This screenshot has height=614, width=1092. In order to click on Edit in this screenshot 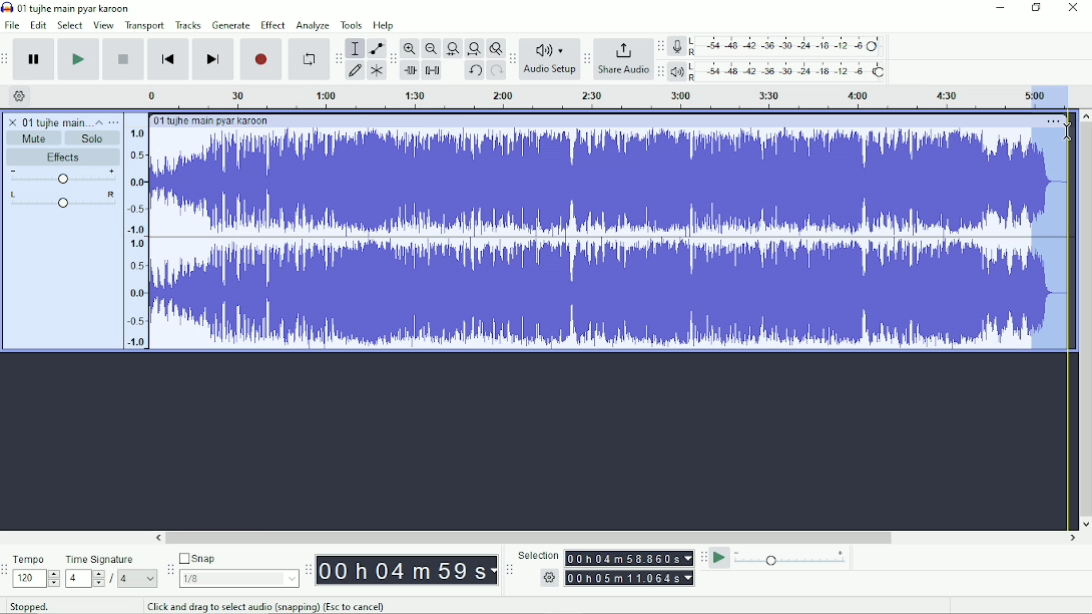, I will do `click(39, 26)`.